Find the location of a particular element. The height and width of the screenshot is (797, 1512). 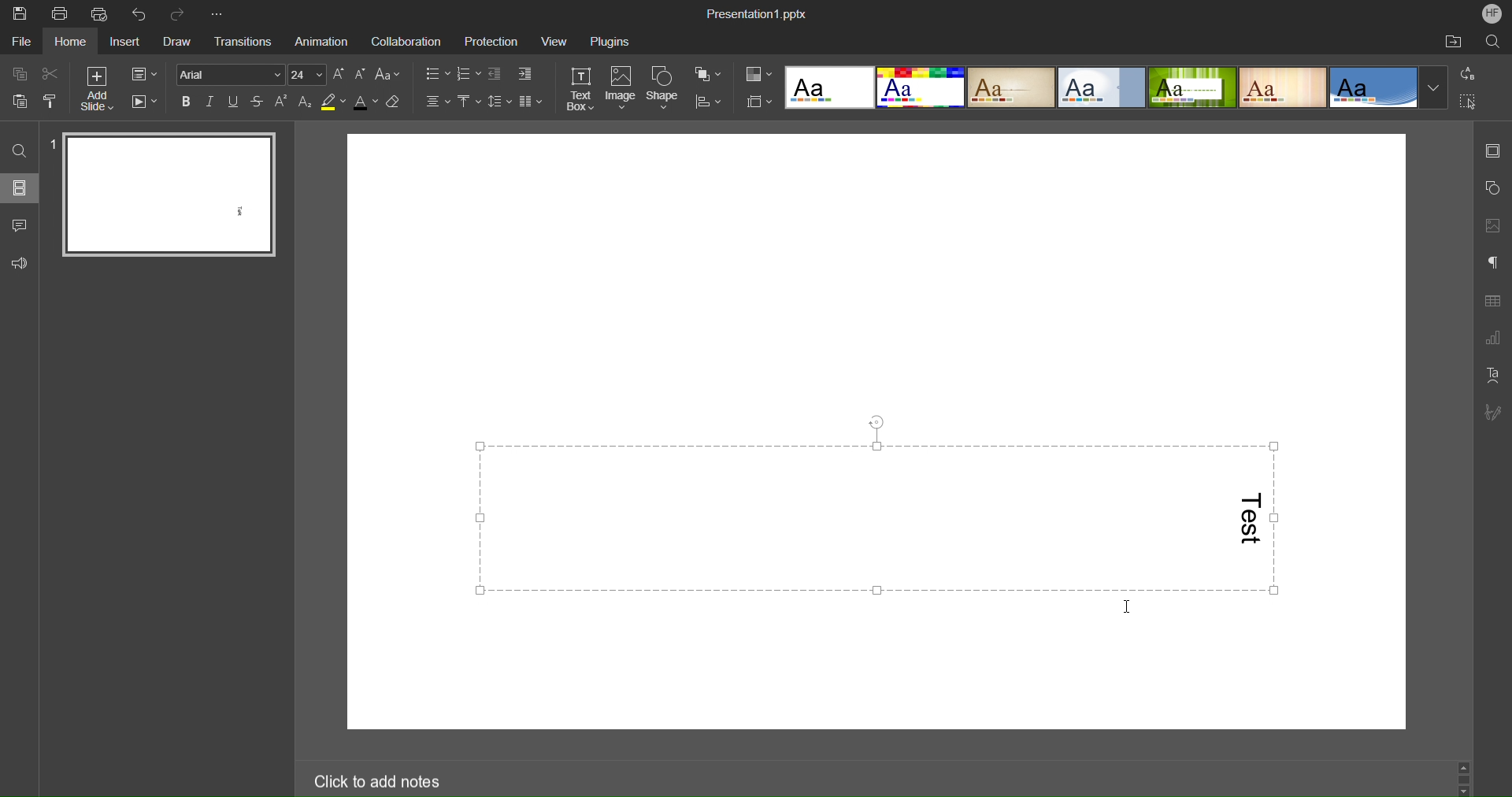

Search is located at coordinates (18, 146).